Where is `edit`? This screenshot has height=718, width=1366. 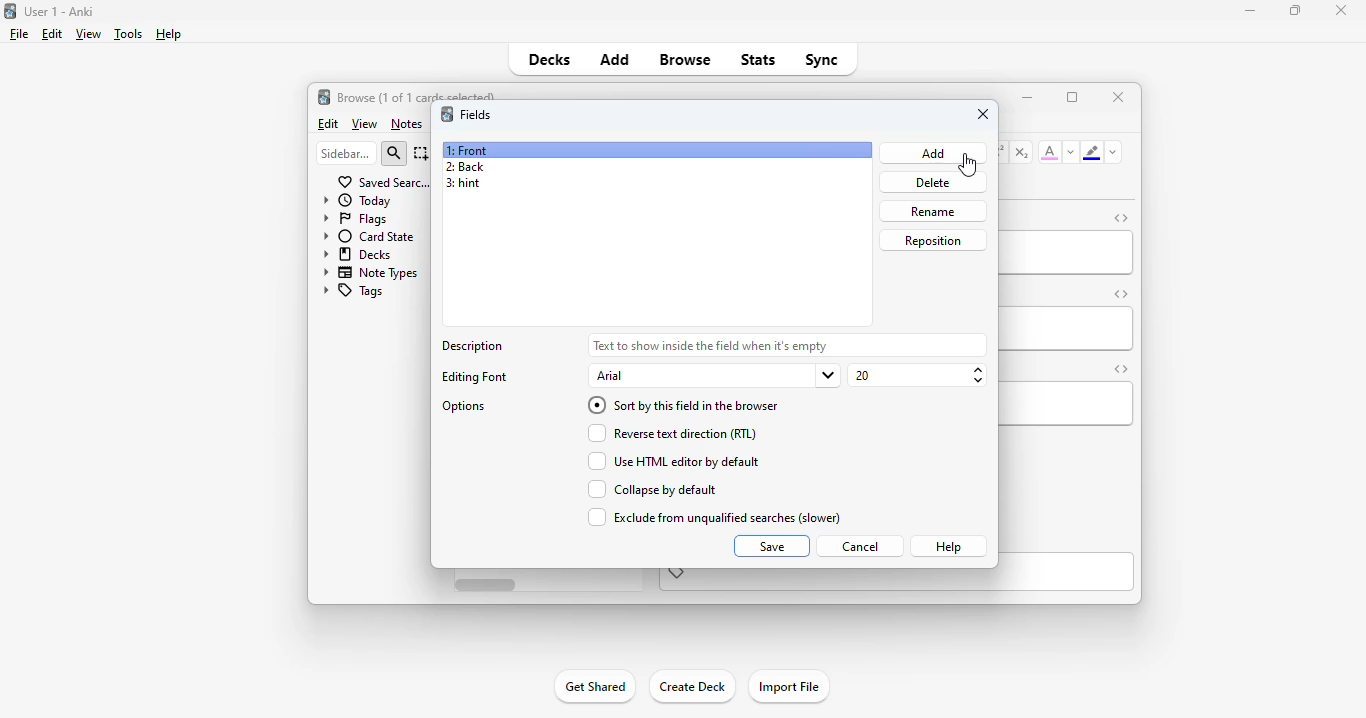
edit is located at coordinates (52, 34).